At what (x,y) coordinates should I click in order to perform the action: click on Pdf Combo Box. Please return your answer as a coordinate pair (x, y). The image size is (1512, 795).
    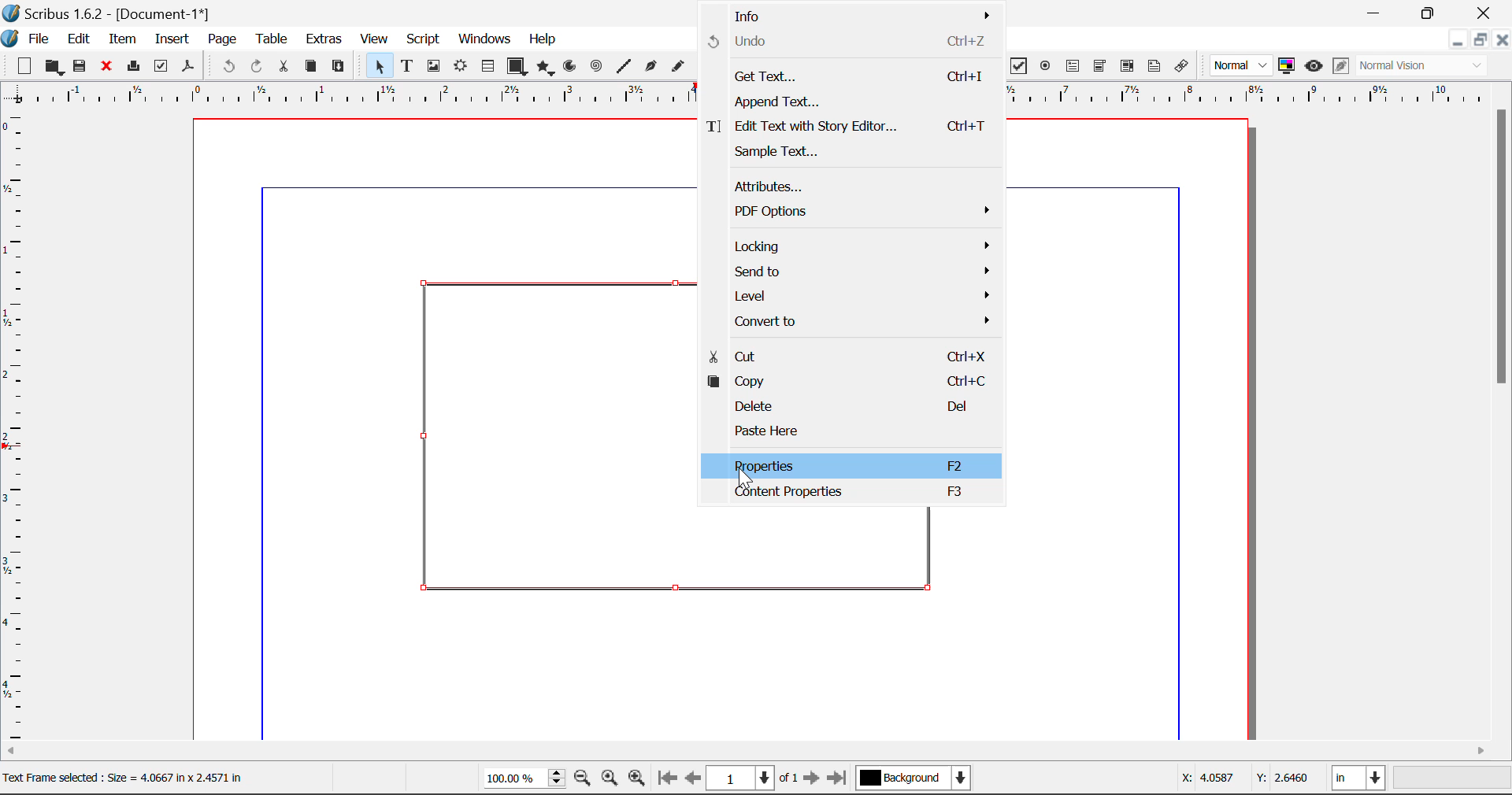
    Looking at the image, I should click on (1100, 65).